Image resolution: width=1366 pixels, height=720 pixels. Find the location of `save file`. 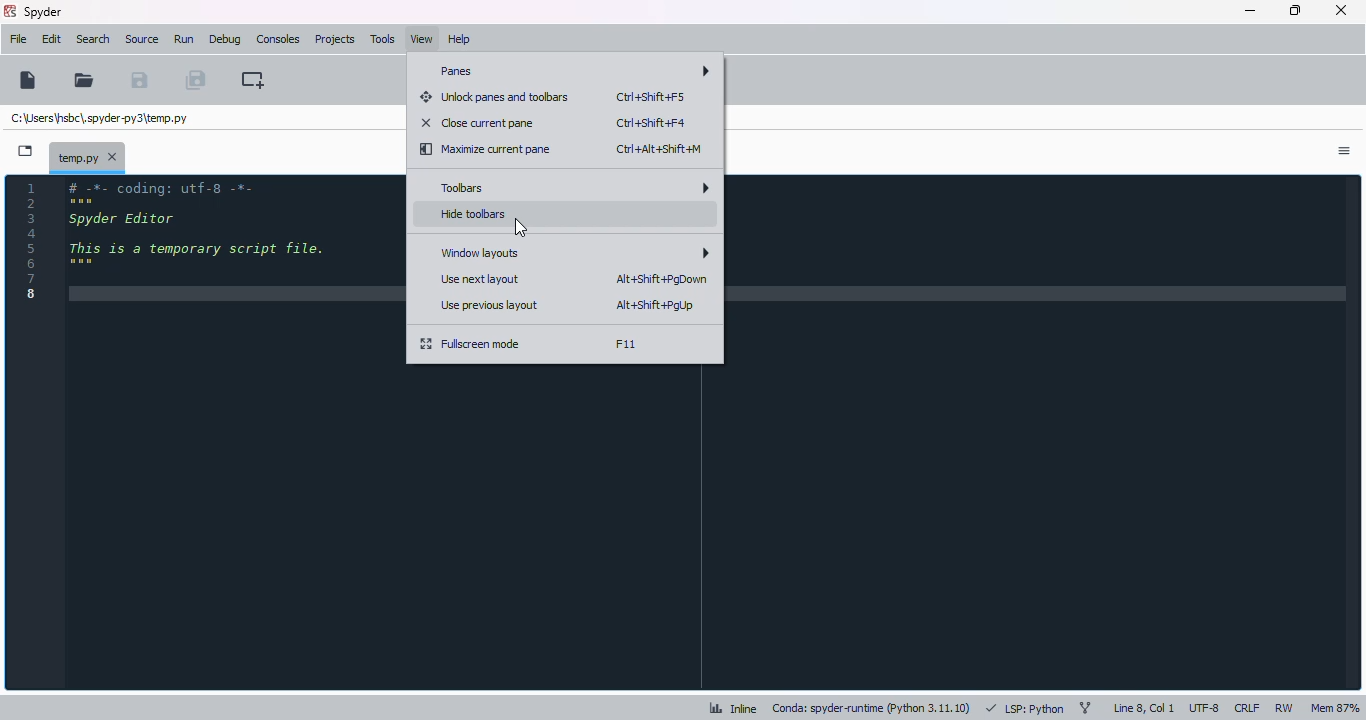

save file is located at coordinates (139, 80).